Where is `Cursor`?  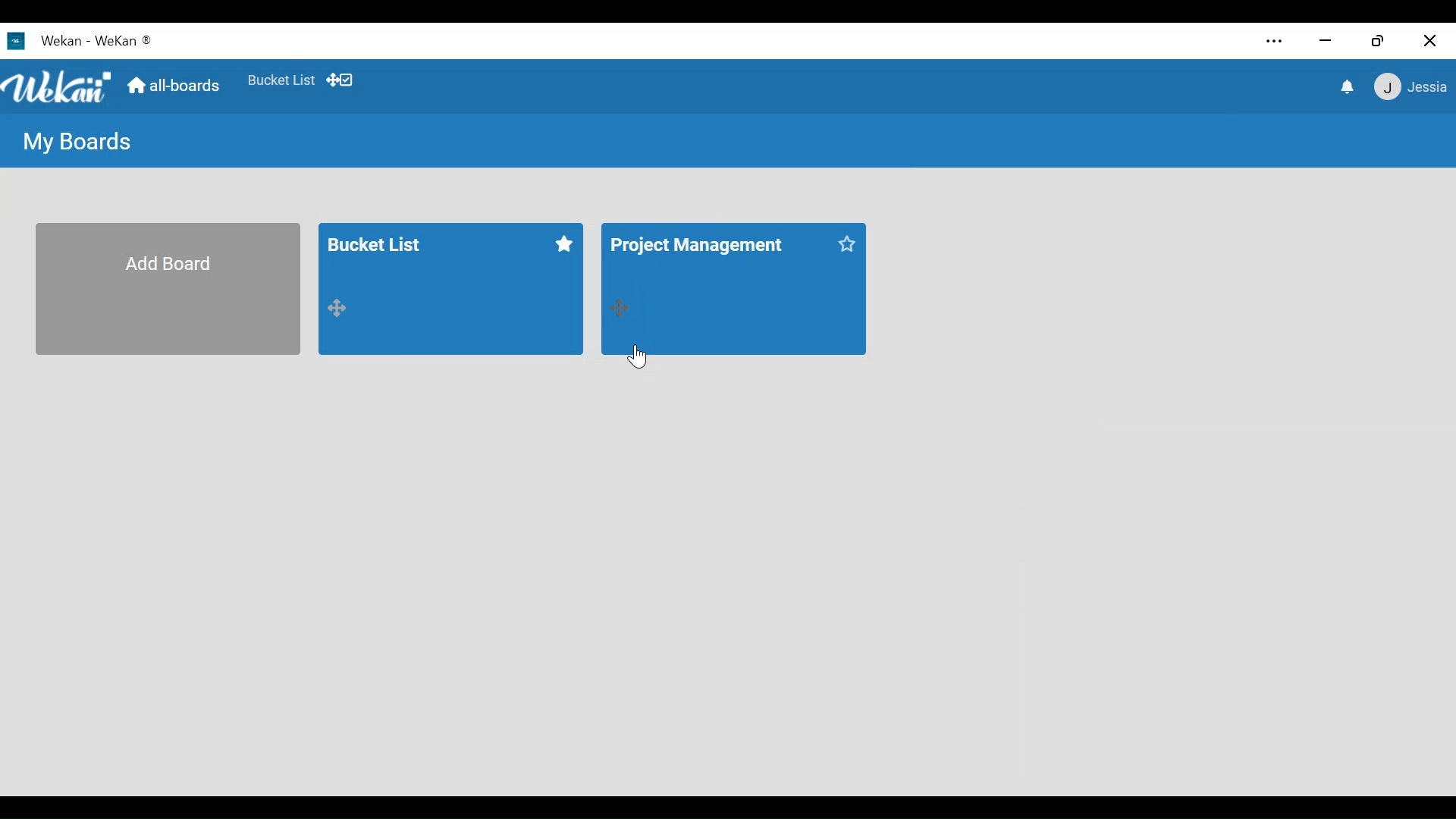
Cursor is located at coordinates (640, 351).